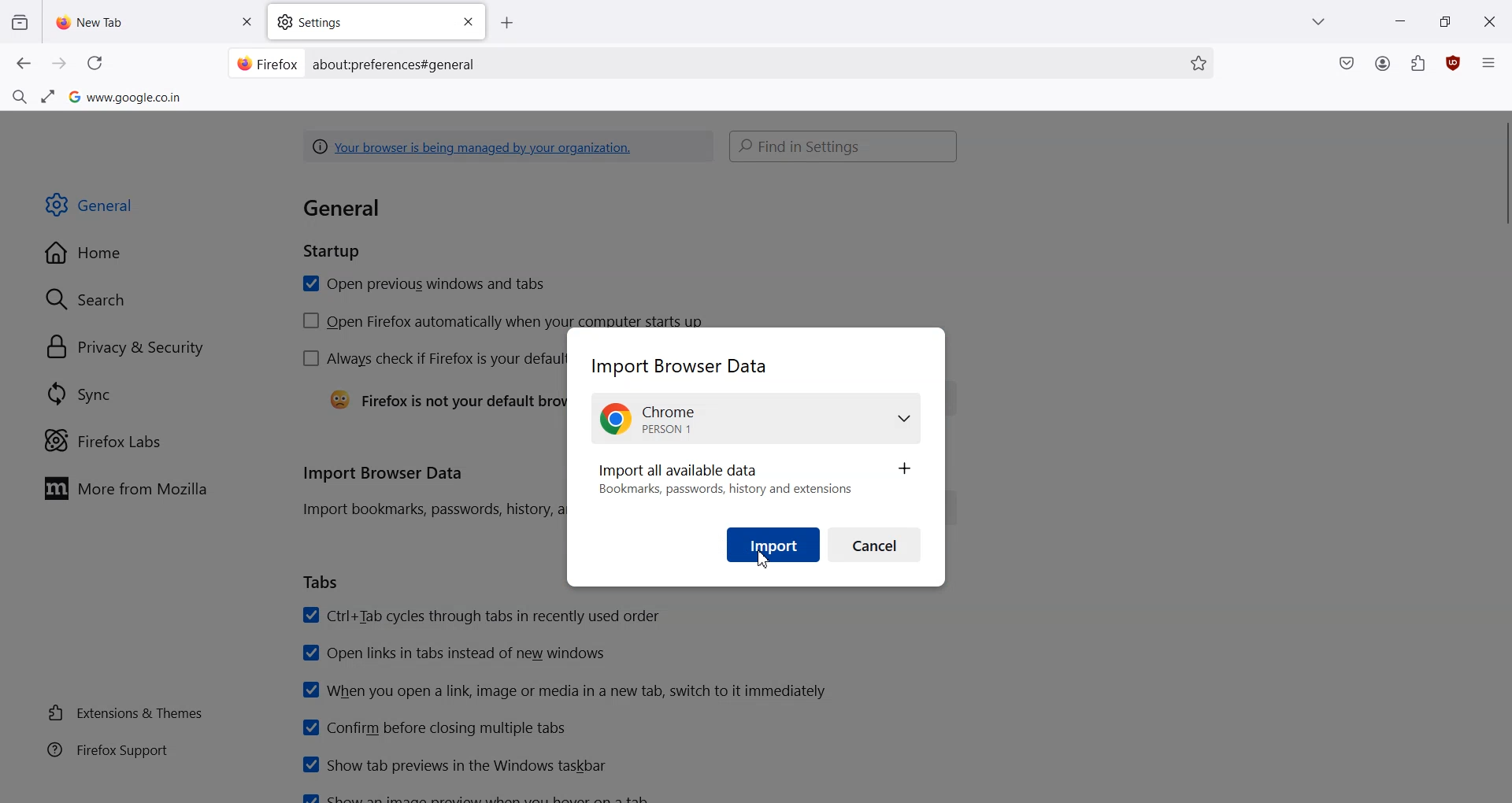 The image size is (1512, 803). I want to click on When you open a link, image or media in a new tab, switch to it immediately, so click(565, 690).